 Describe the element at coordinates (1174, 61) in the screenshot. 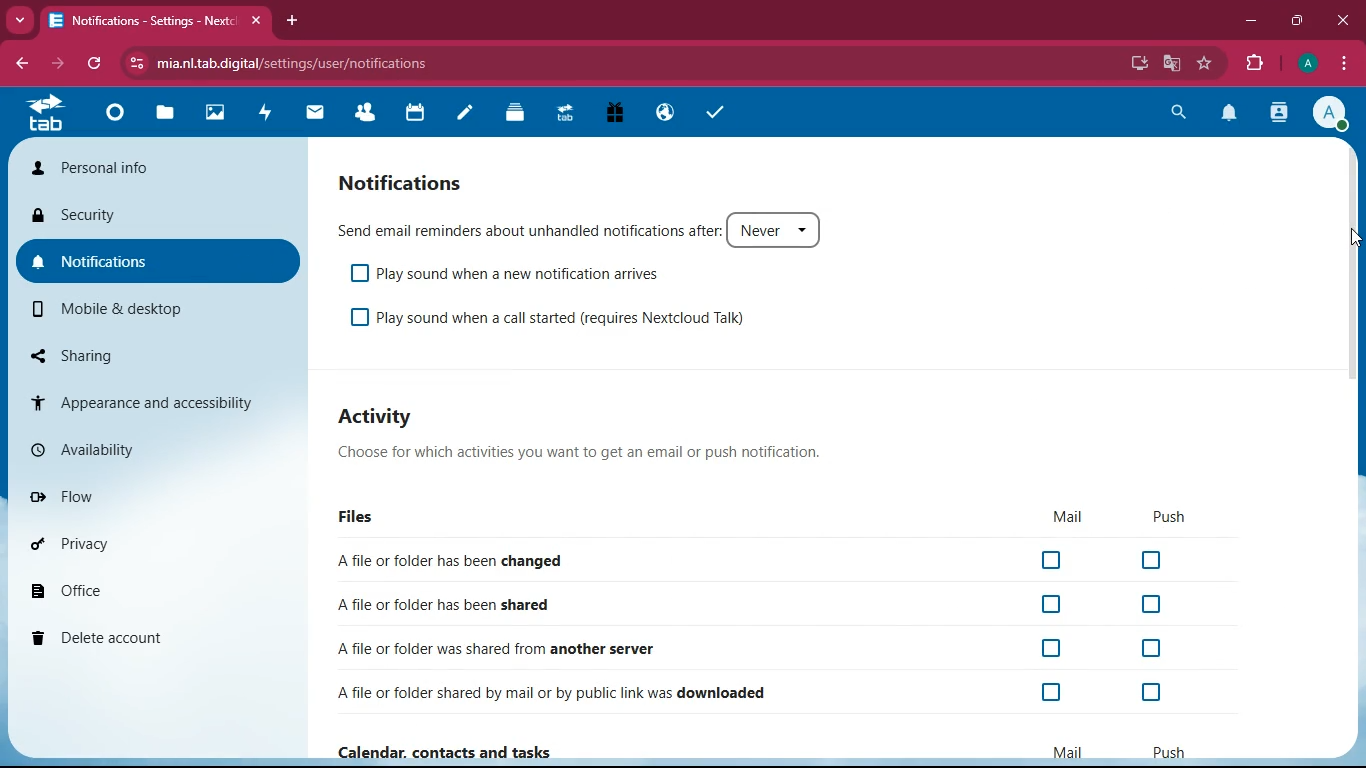

I see `google translate` at that location.